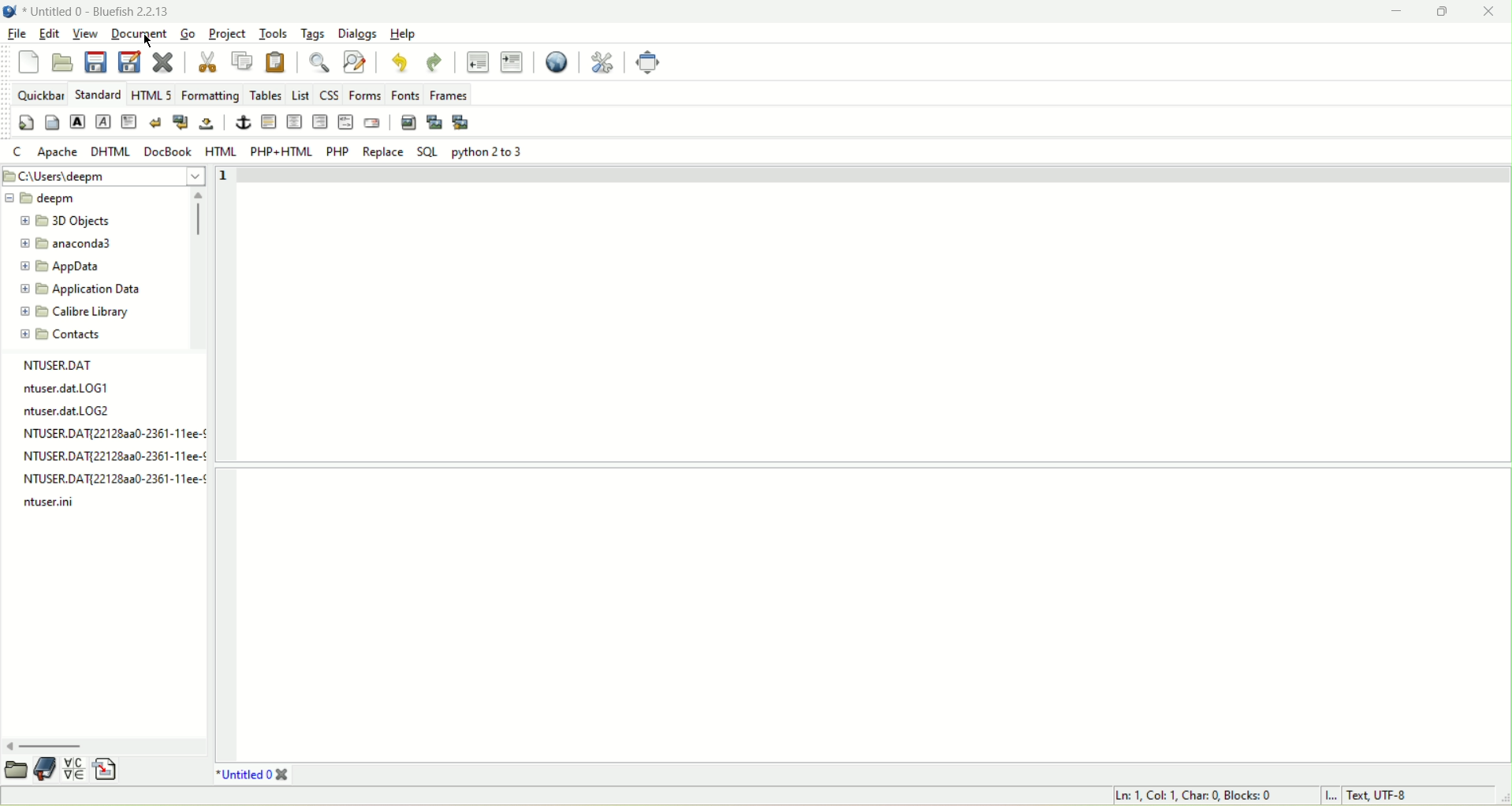 The image size is (1512, 806). What do you see at coordinates (97, 63) in the screenshot?
I see `save` at bounding box center [97, 63].